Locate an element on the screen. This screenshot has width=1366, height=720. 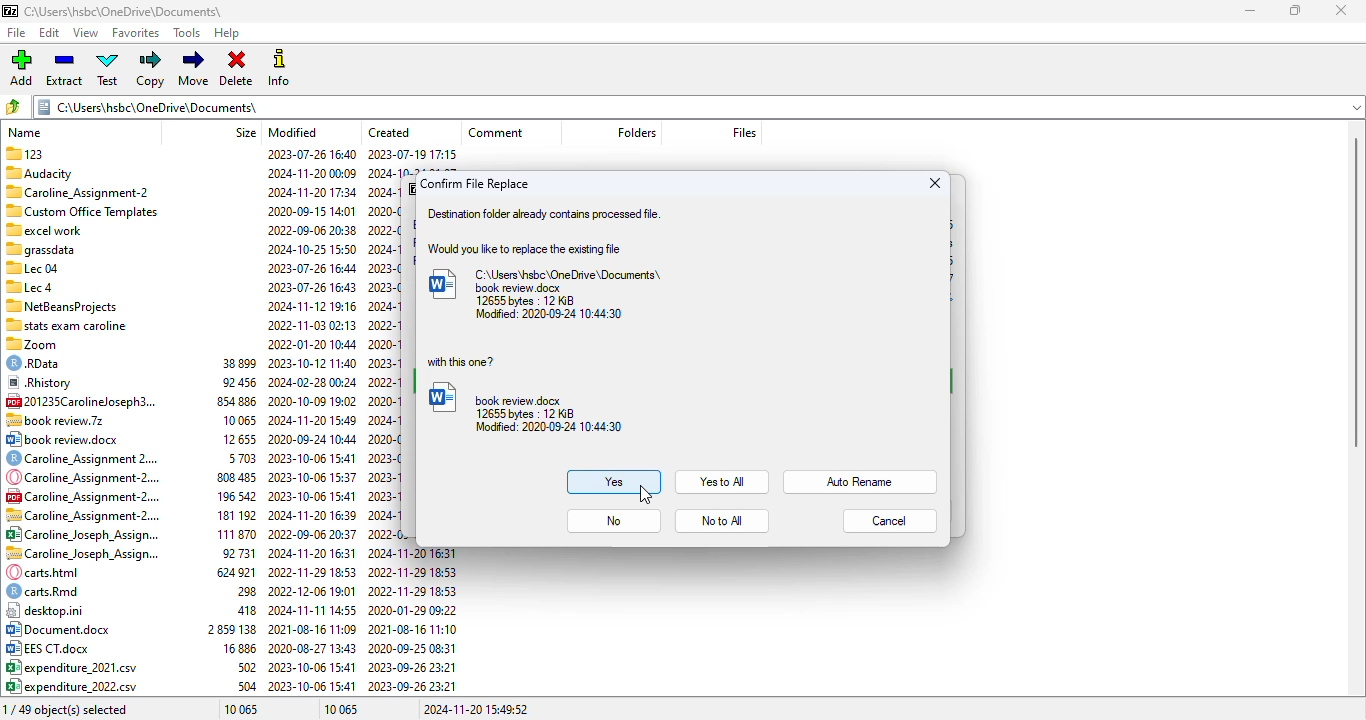
close is located at coordinates (936, 183).